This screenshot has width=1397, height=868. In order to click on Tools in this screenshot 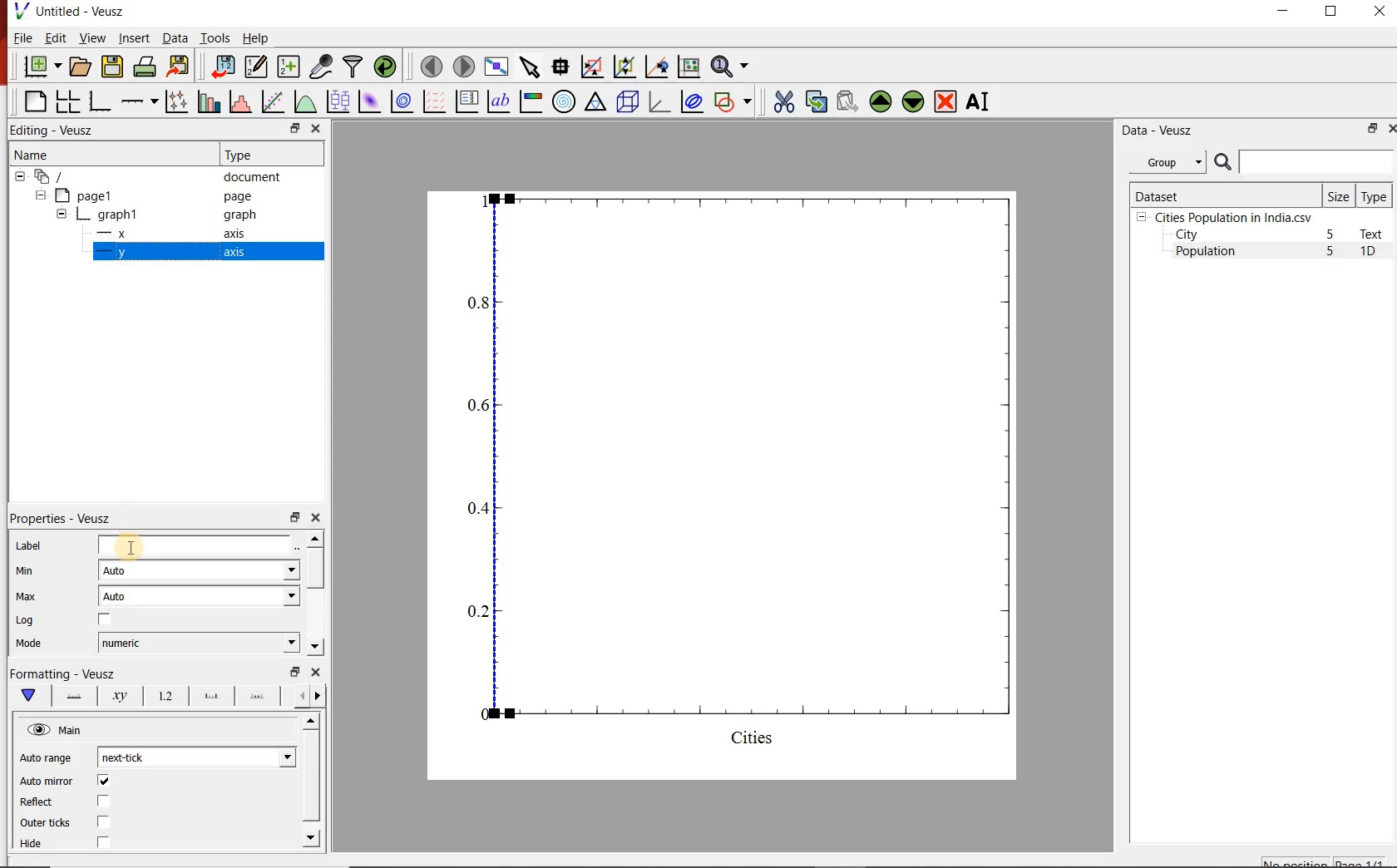, I will do `click(214, 37)`.